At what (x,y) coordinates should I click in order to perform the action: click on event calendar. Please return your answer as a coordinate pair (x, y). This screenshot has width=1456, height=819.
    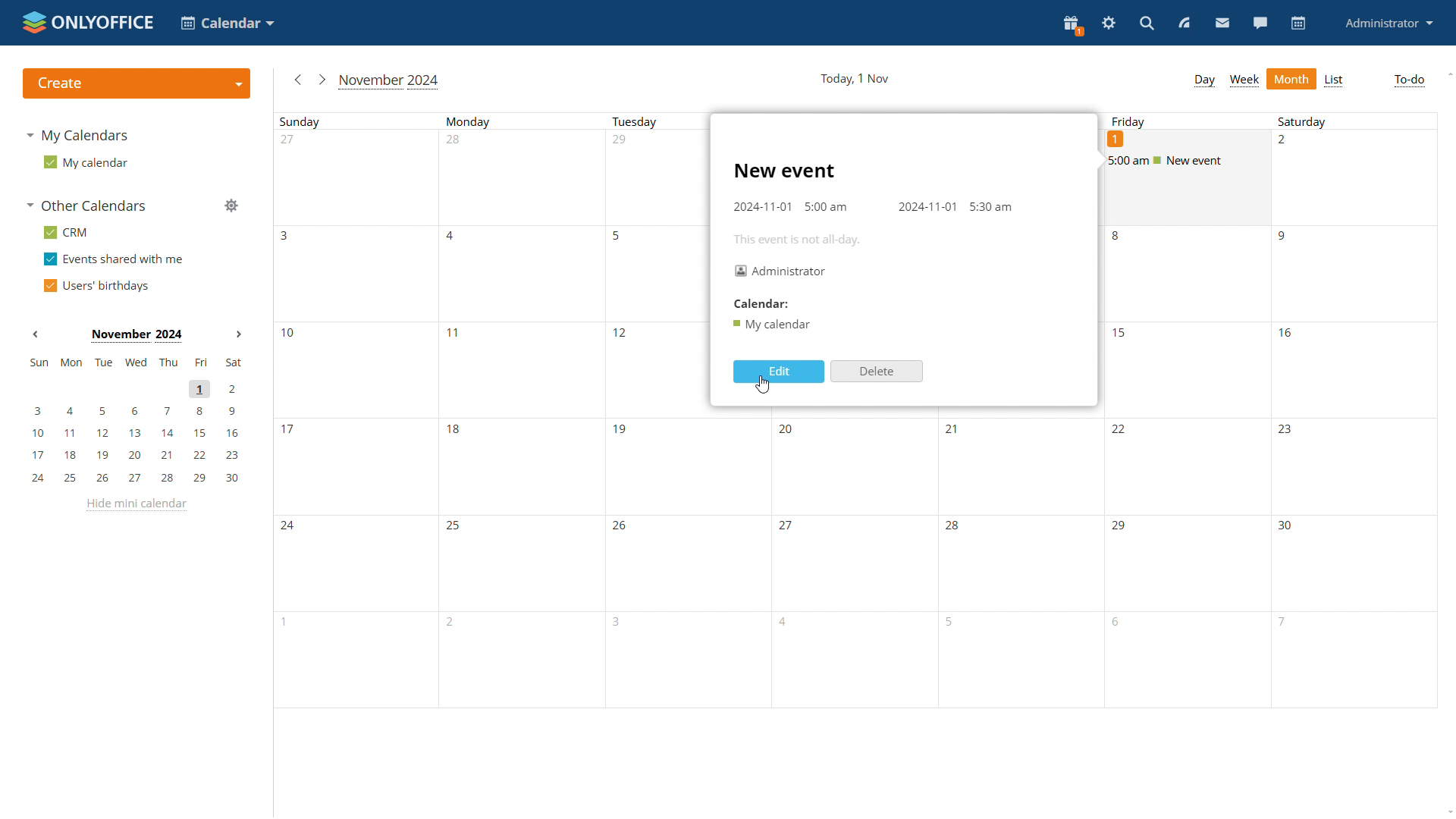
    Looking at the image, I should click on (773, 325).